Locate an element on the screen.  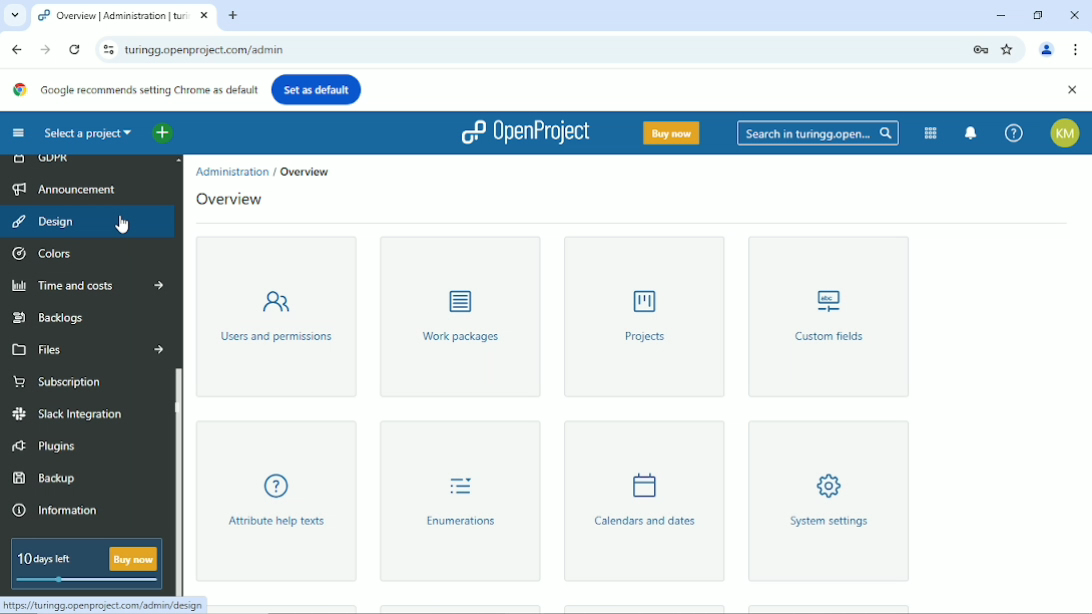
Account is located at coordinates (1066, 133).